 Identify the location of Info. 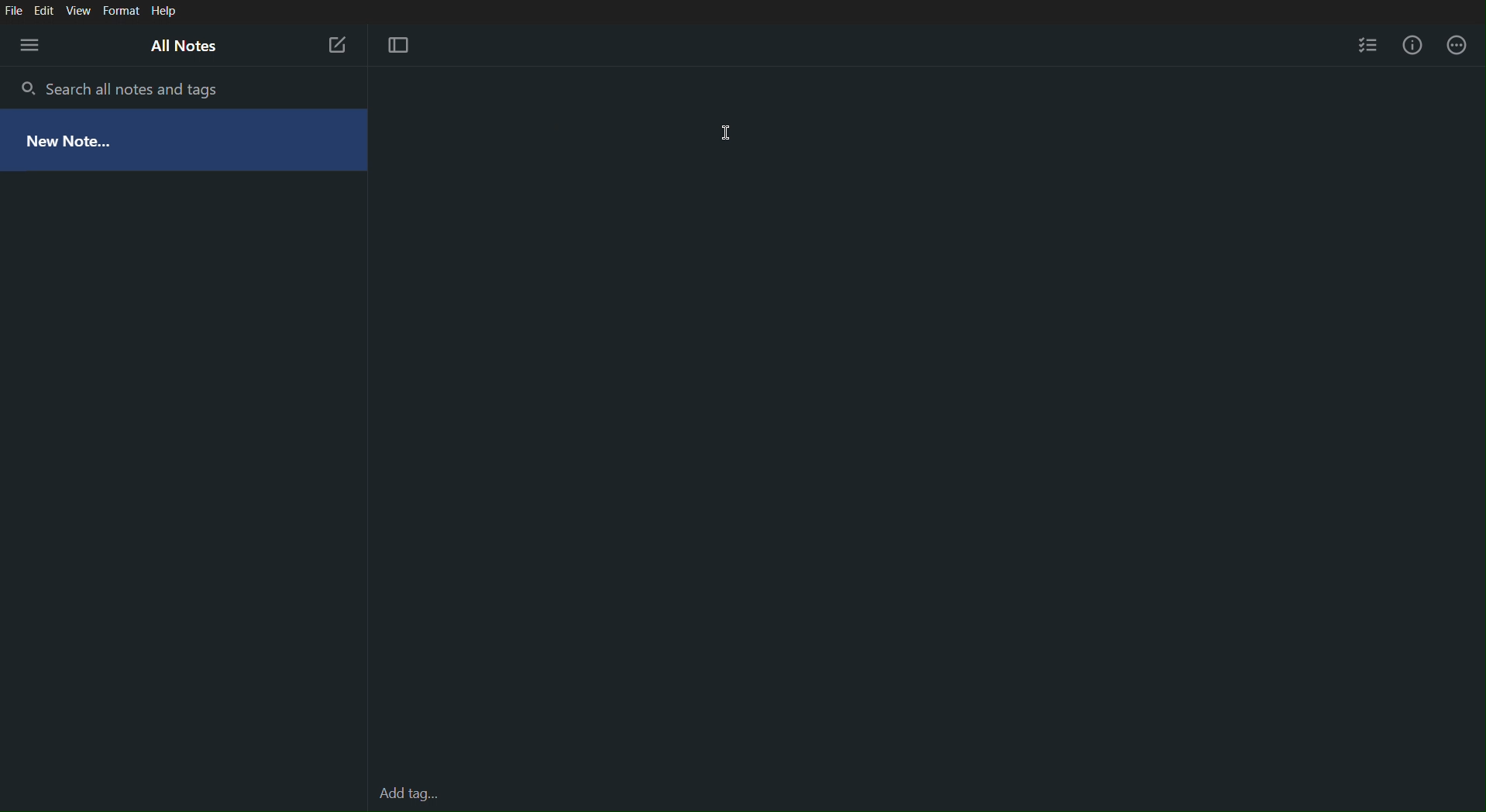
(1416, 45).